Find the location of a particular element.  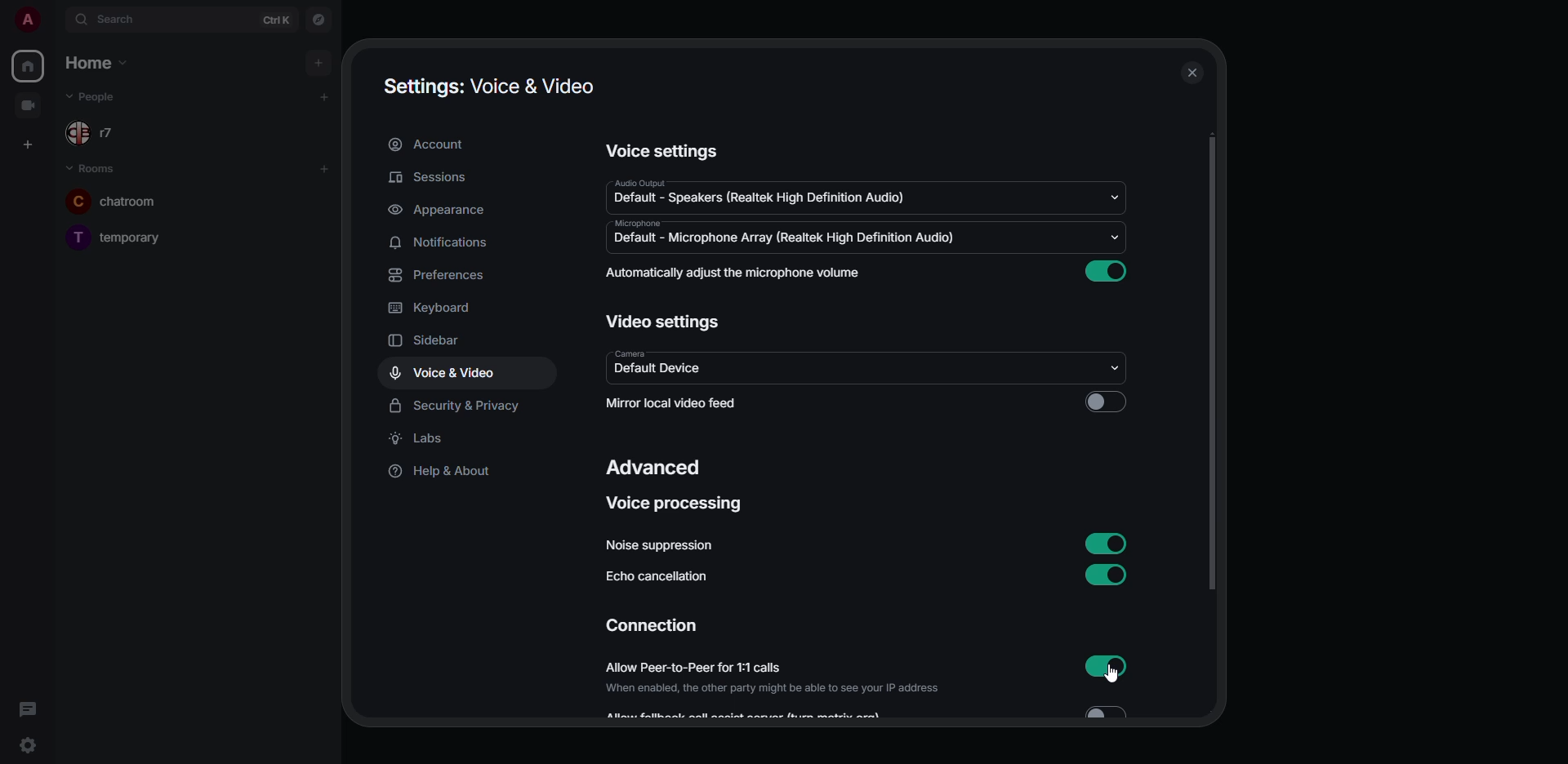

create space is located at coordinates (30, 142).